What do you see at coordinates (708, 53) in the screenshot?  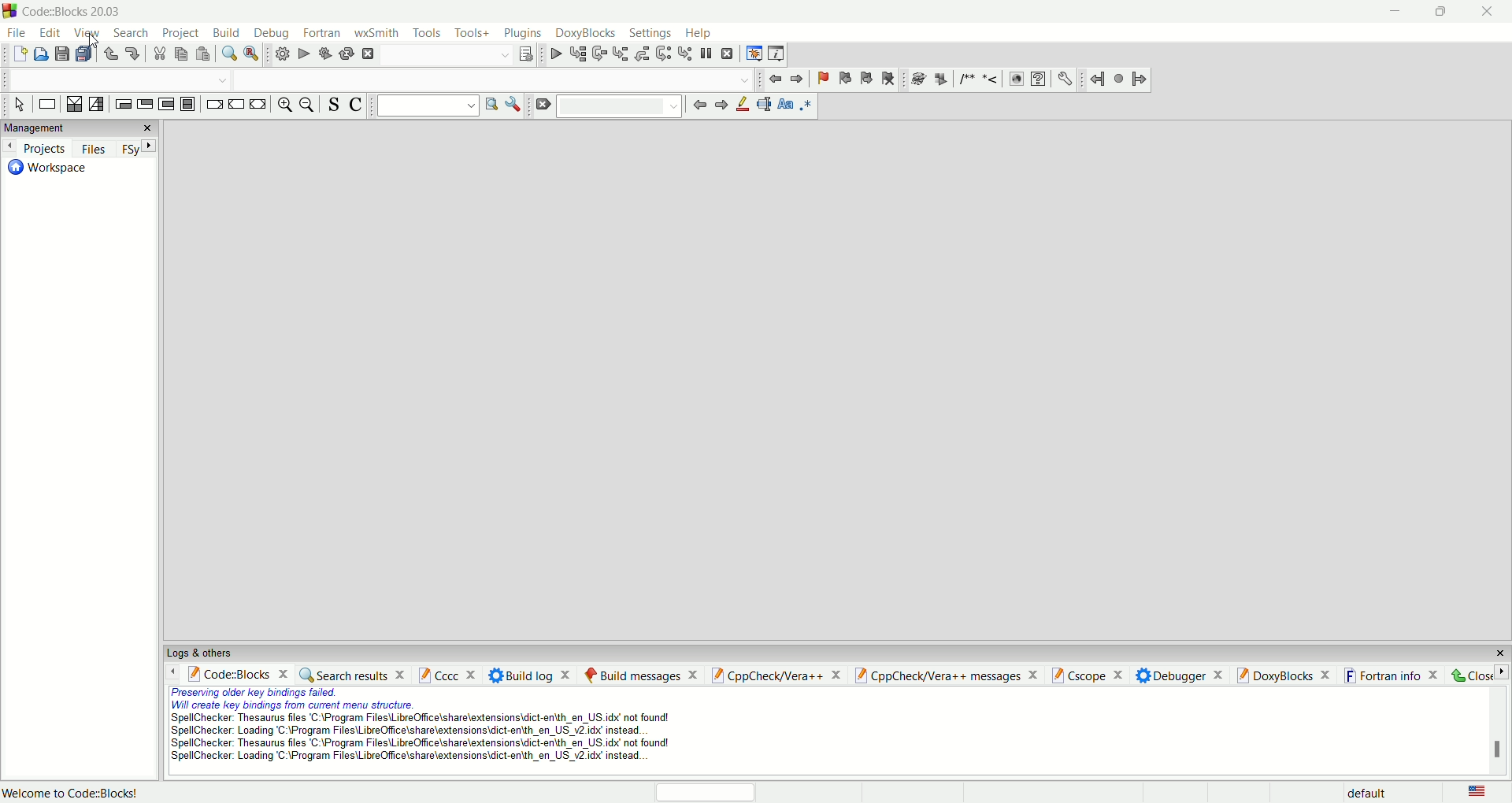 I see `break debugger` at bounding box center [708, 53].